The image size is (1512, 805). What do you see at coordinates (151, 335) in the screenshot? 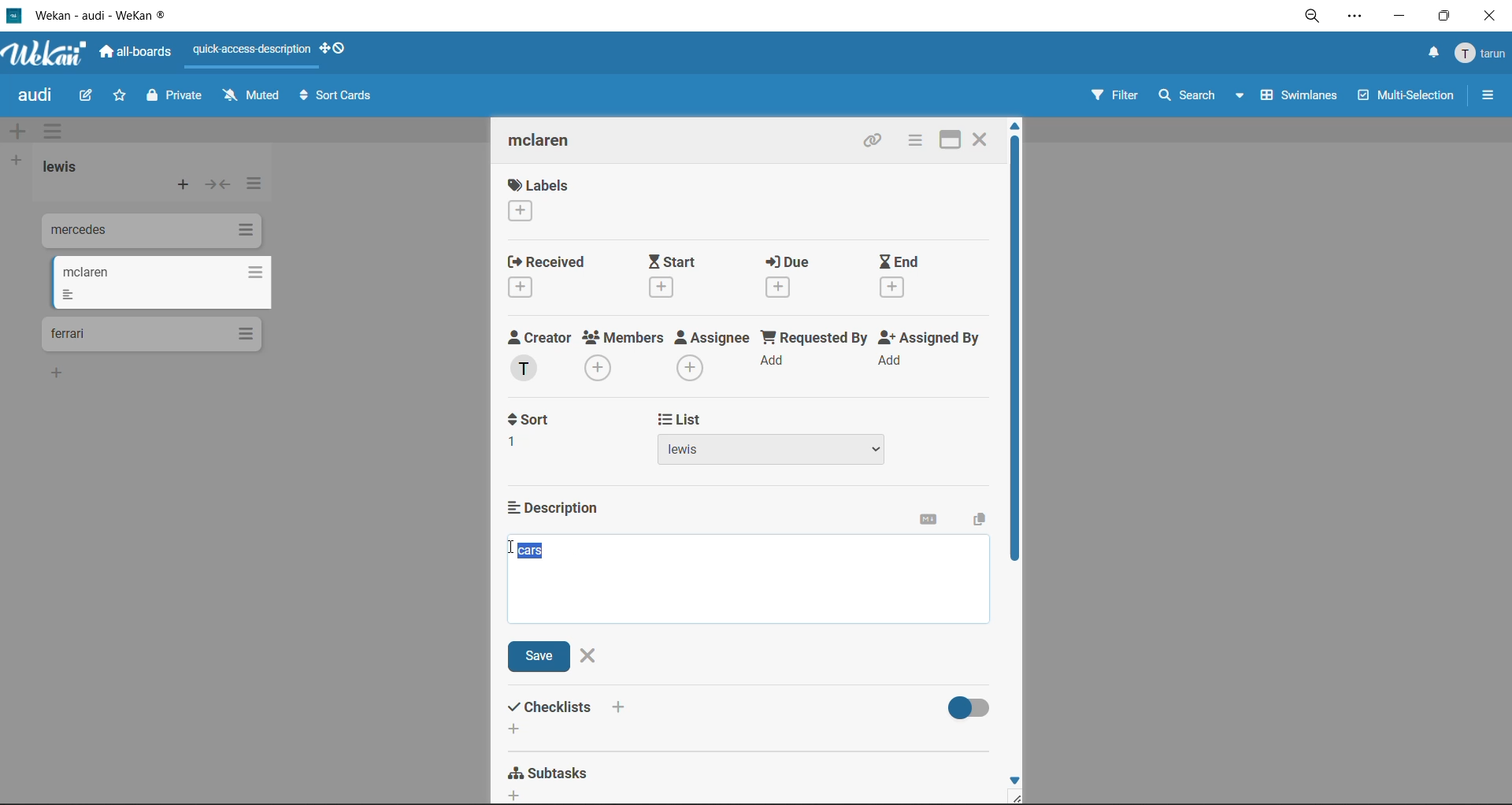
I see `cards` at bounding box center [151, 335].